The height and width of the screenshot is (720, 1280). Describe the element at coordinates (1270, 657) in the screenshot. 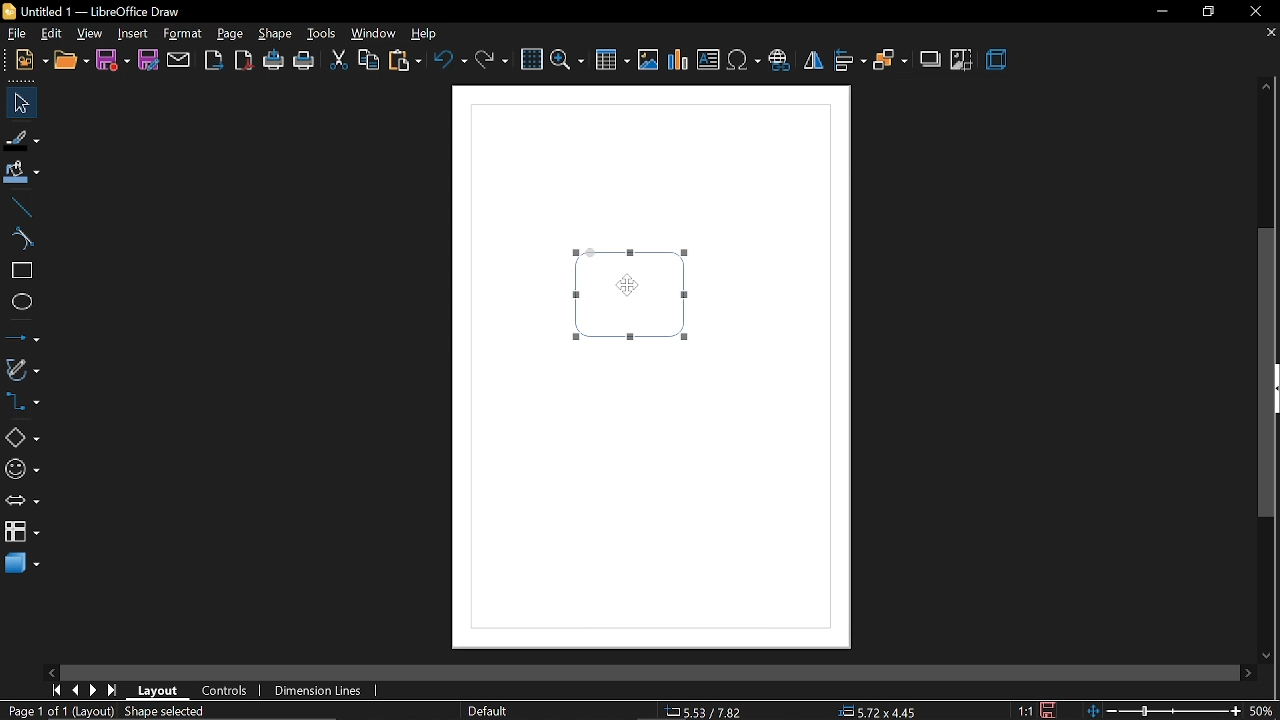

I see `move down` at that location.